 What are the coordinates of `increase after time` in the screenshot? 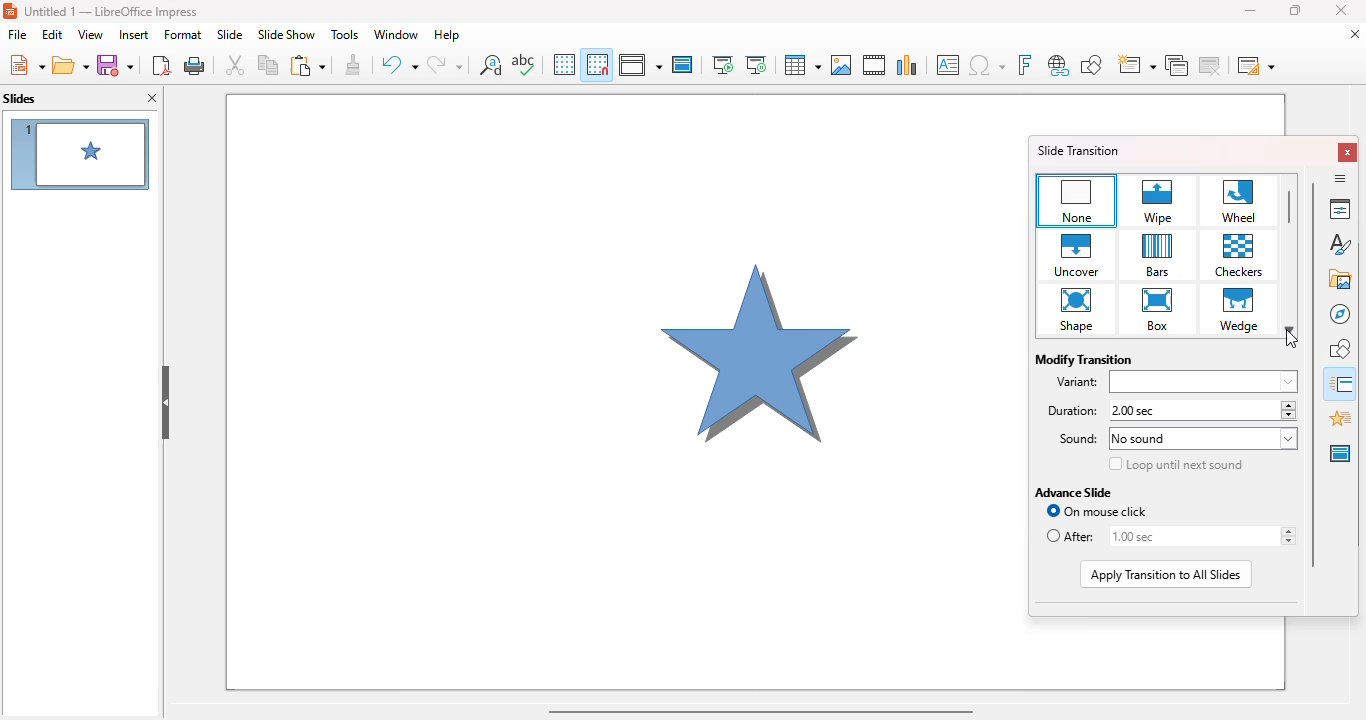 It's located at (1287, 531).